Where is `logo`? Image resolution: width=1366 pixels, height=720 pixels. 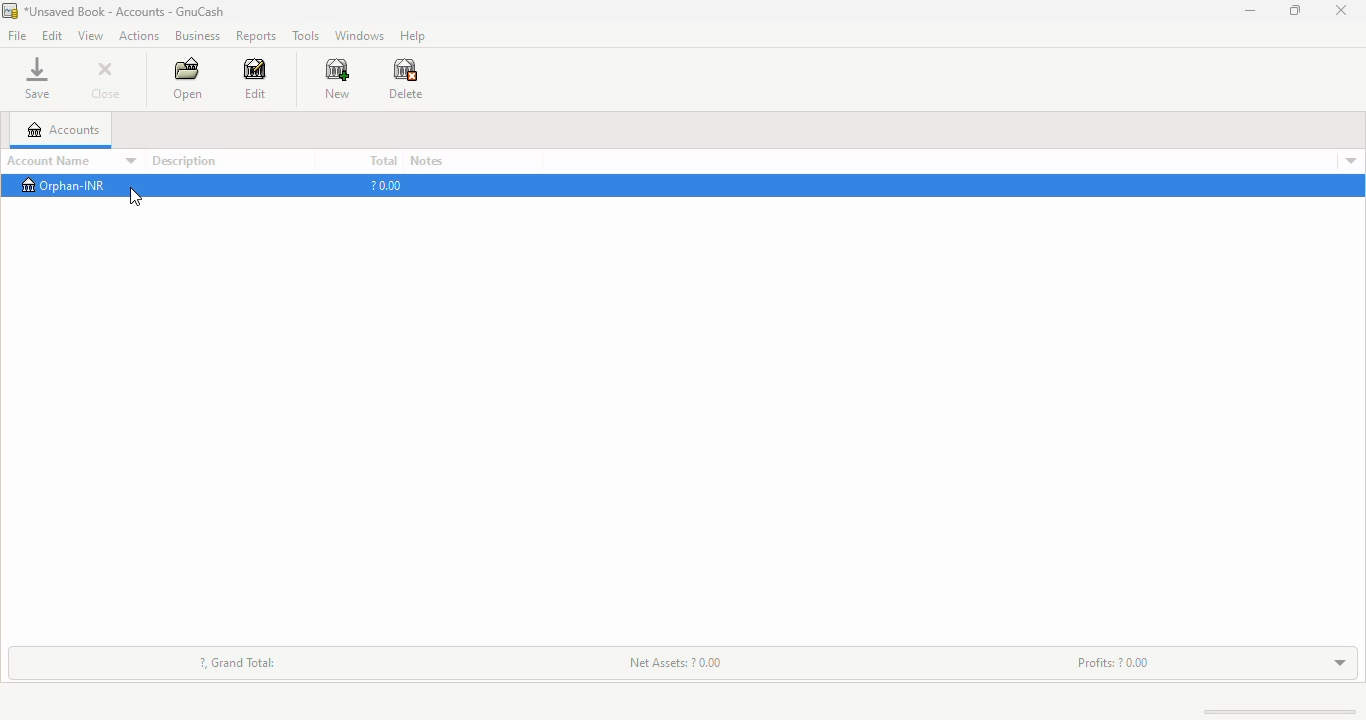 logo is located at coordinates (9, 11).